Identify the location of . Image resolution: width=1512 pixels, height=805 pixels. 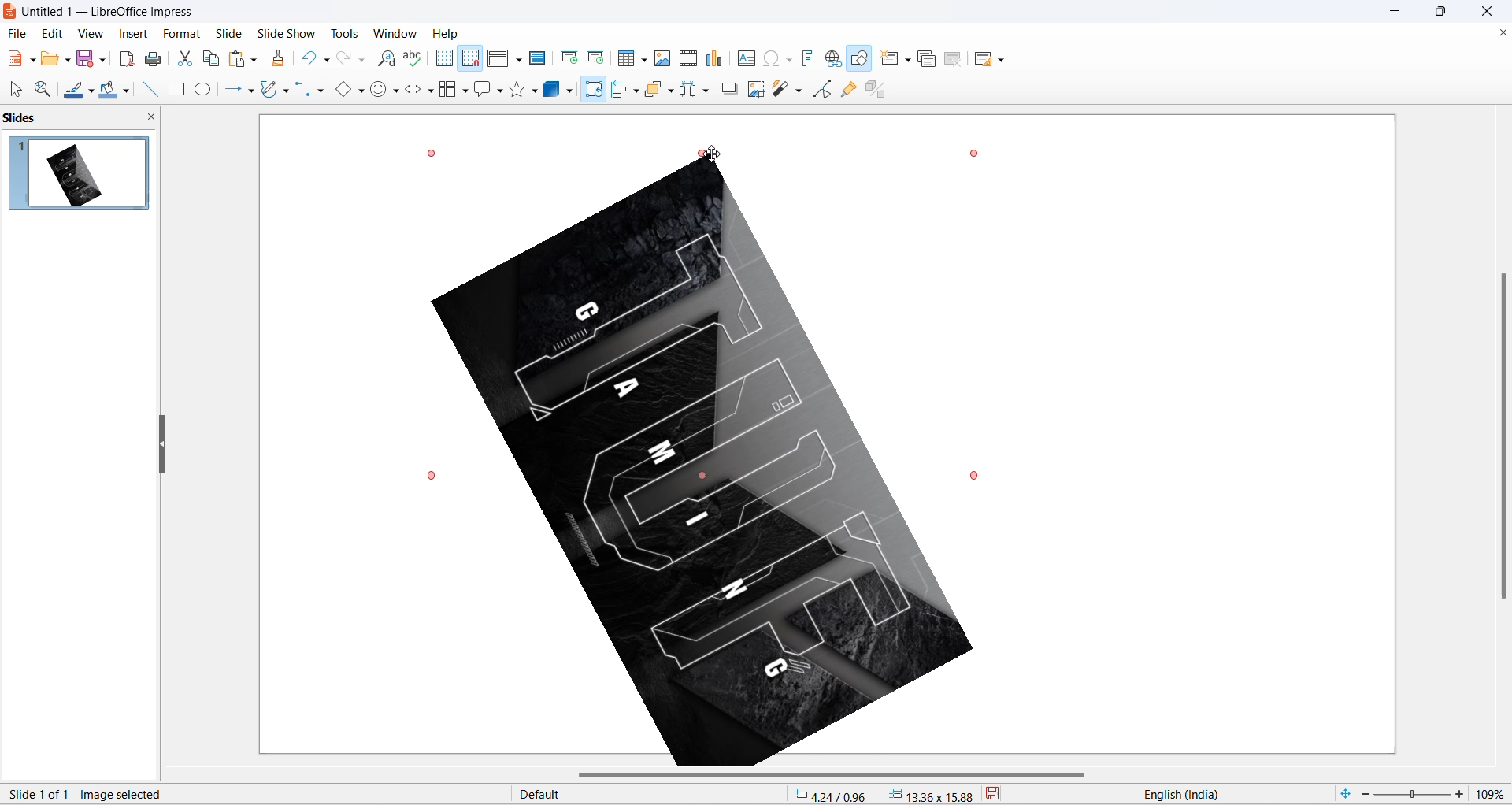
(20, 34).